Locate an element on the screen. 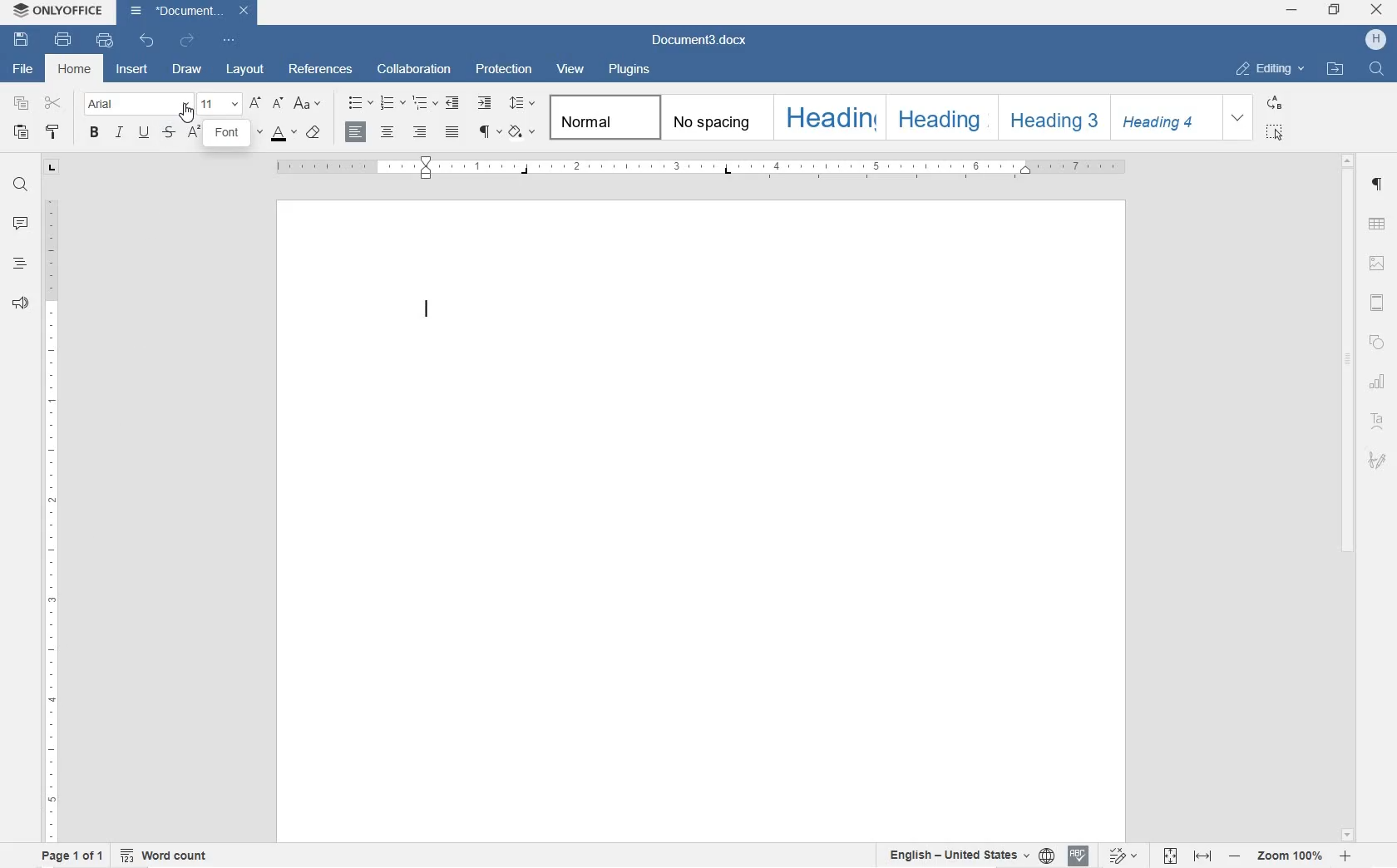  HEADING 1 is located at coordinates (827, 116).